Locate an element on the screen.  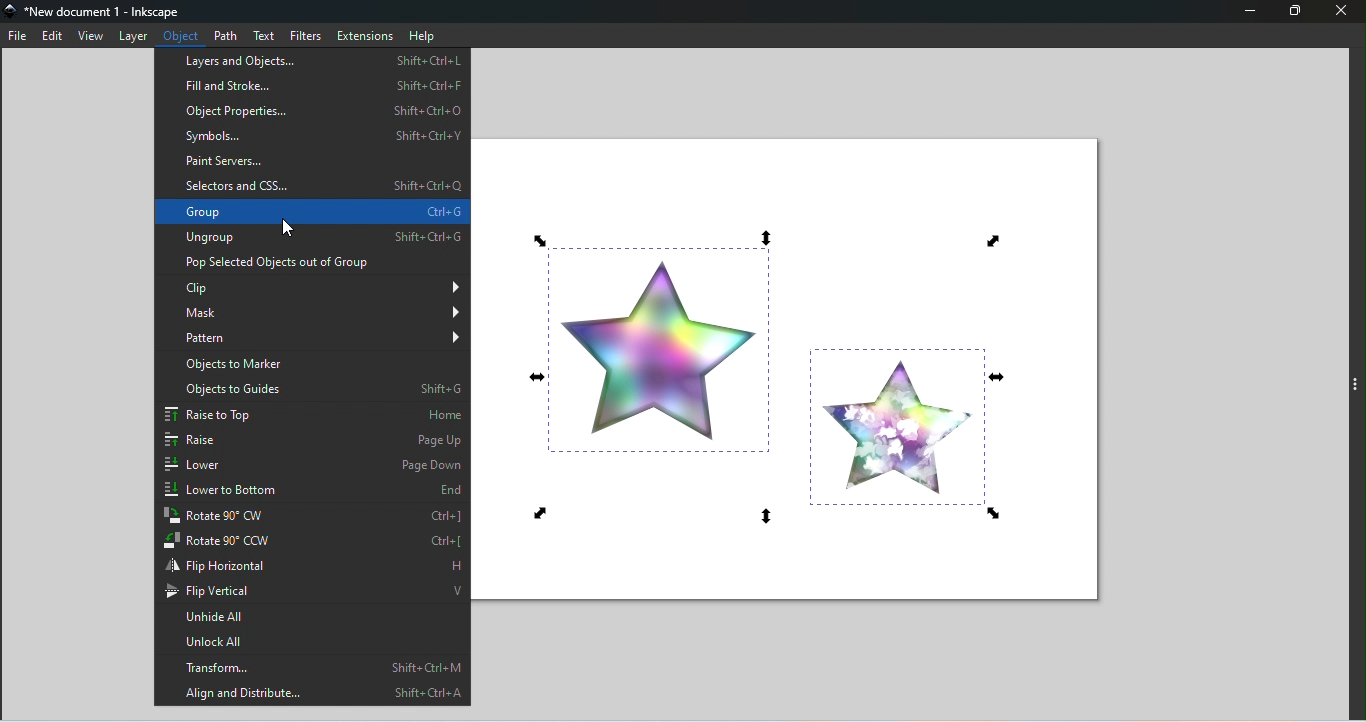
Flip horizontal is located at coordinates (313, 564).